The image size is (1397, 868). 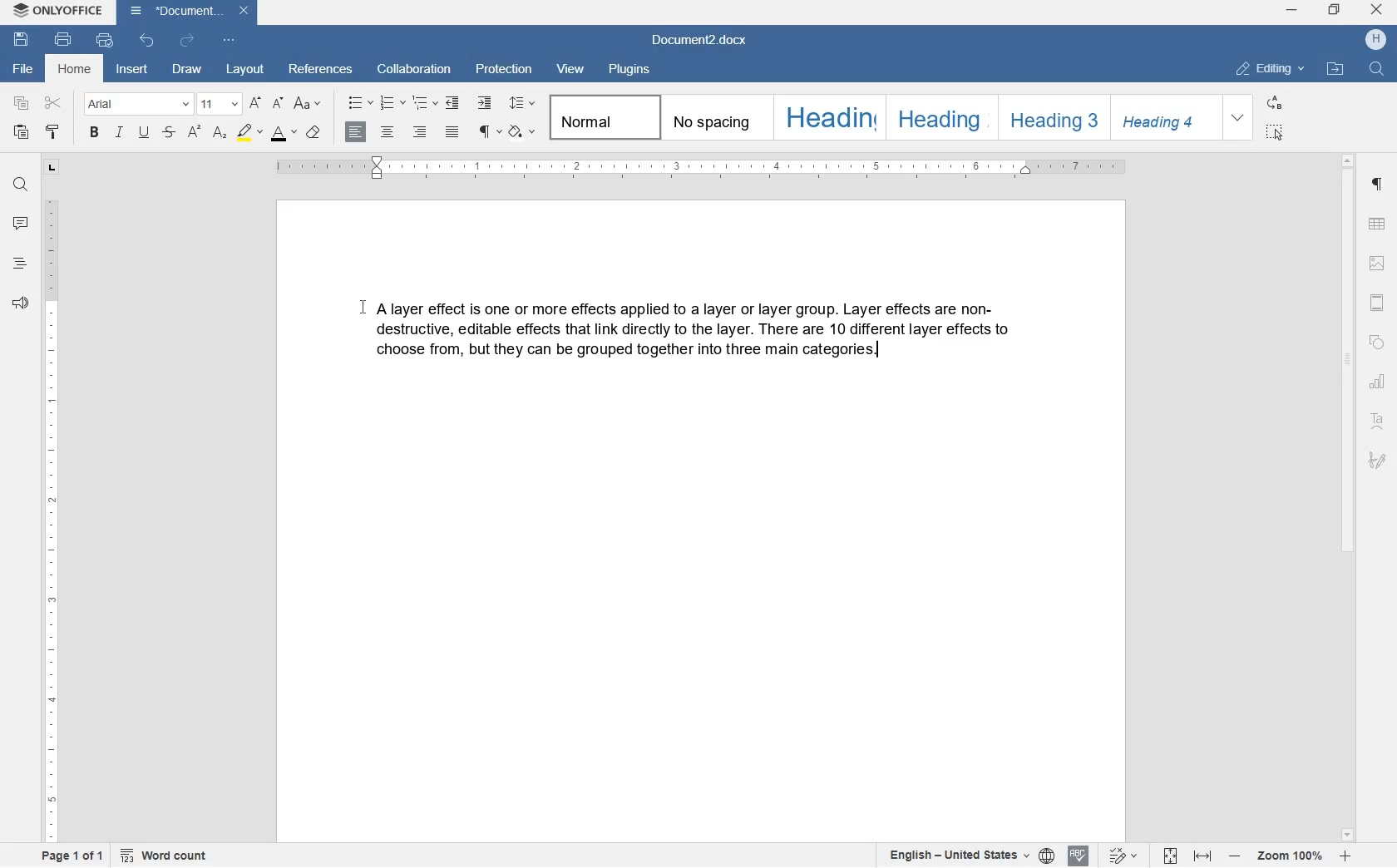 I want to click on highlight color, so click(x=249, y=134).